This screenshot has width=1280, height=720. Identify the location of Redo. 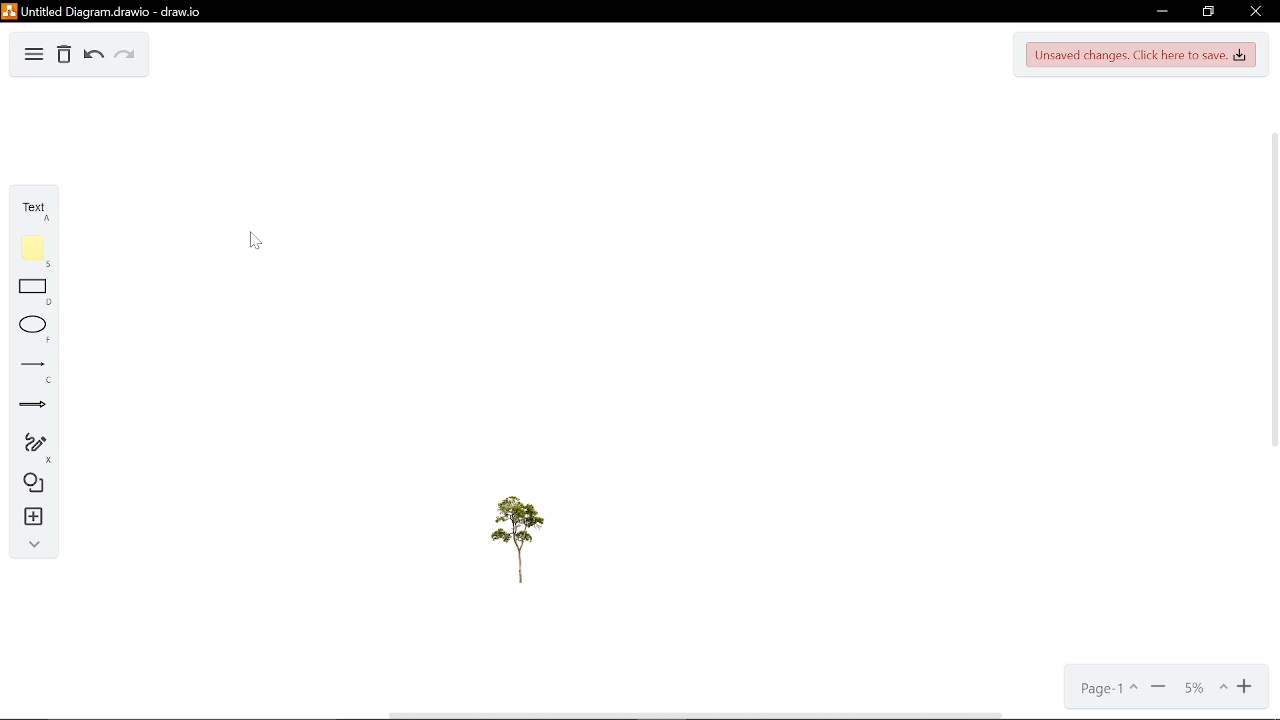
(123, 58).